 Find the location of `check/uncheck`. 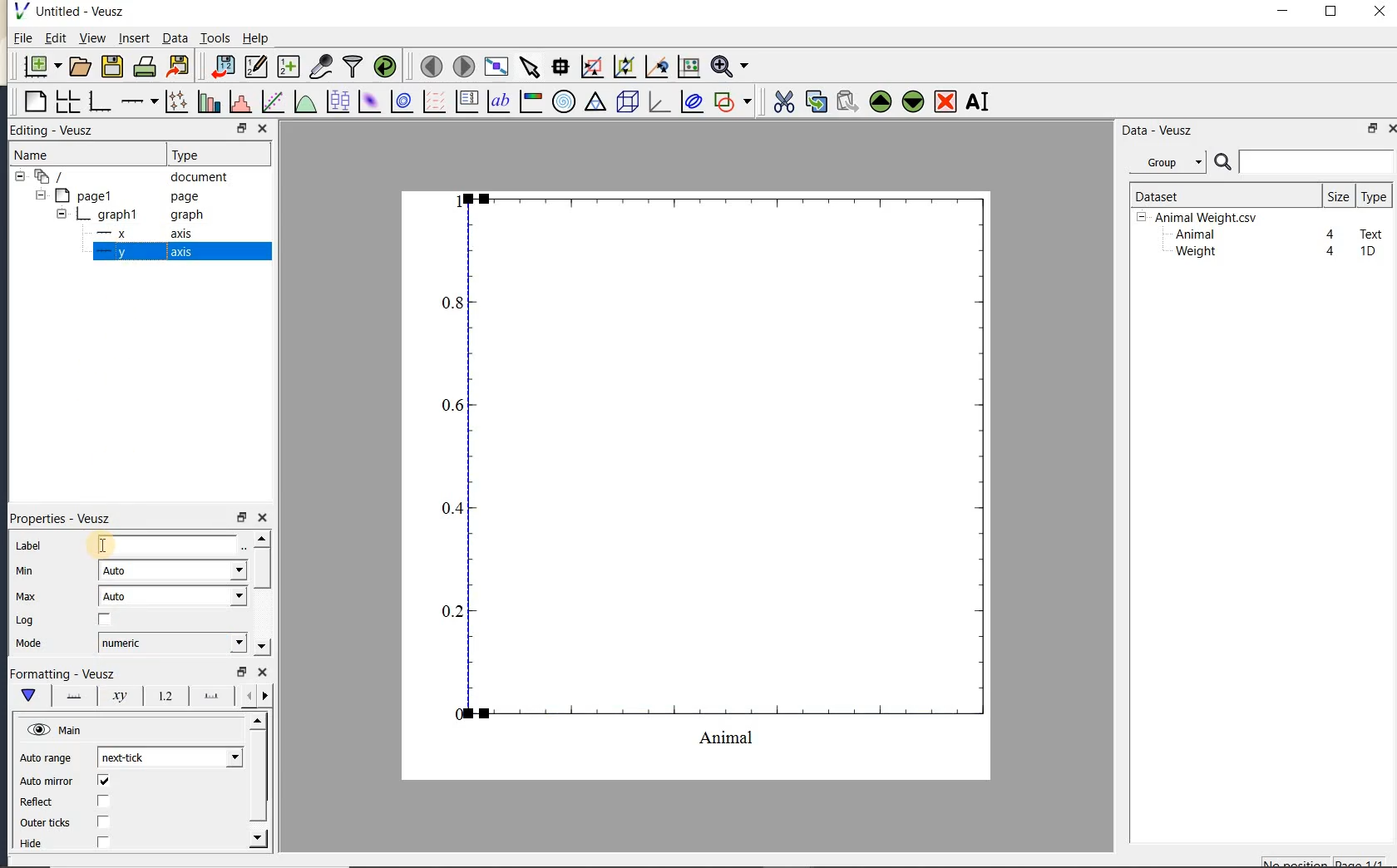

check/uncheck is located at coordinates (105, 620).